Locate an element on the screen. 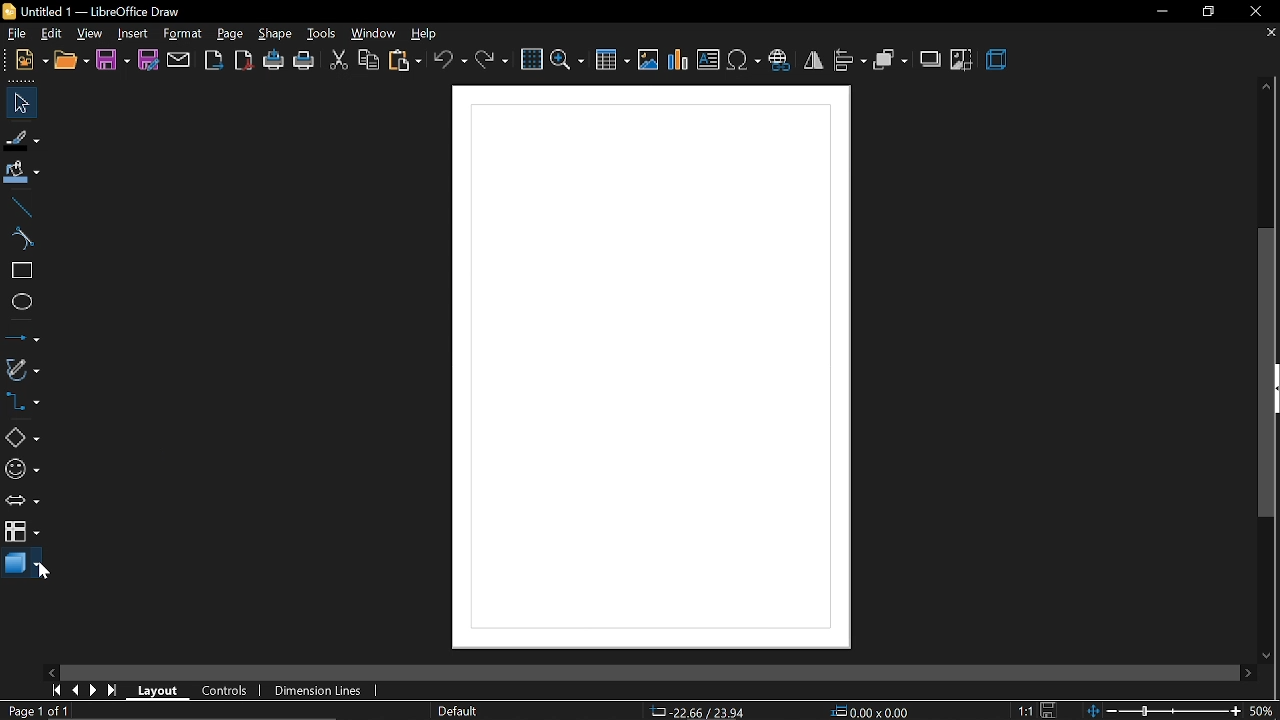  redo is located at coordinates (491, 59).